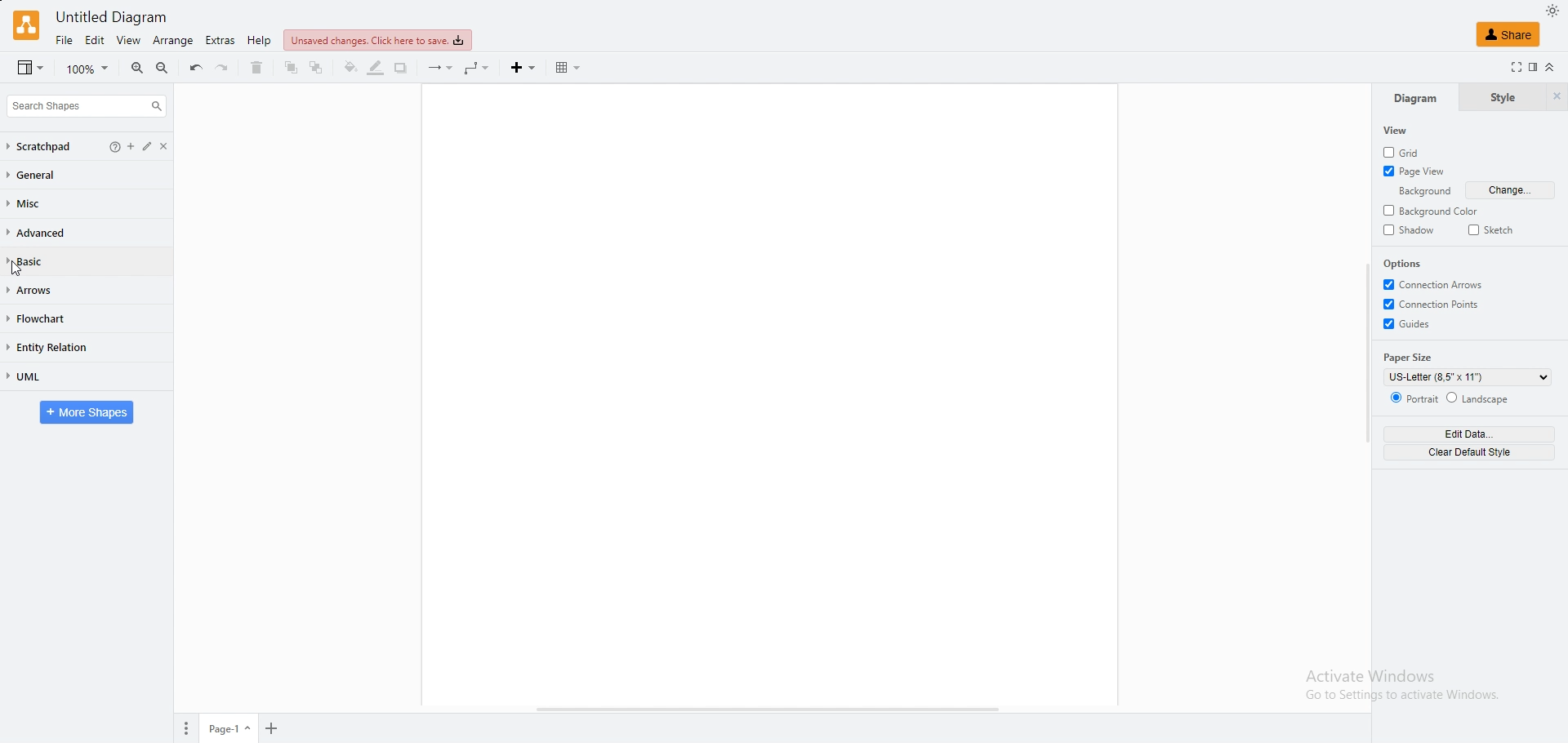 The height and width of the screenshot is (743, 1568). What do you see at coordinates (96, 41) in the screenshot?
I see `edit` at bounding box center [96, 41].